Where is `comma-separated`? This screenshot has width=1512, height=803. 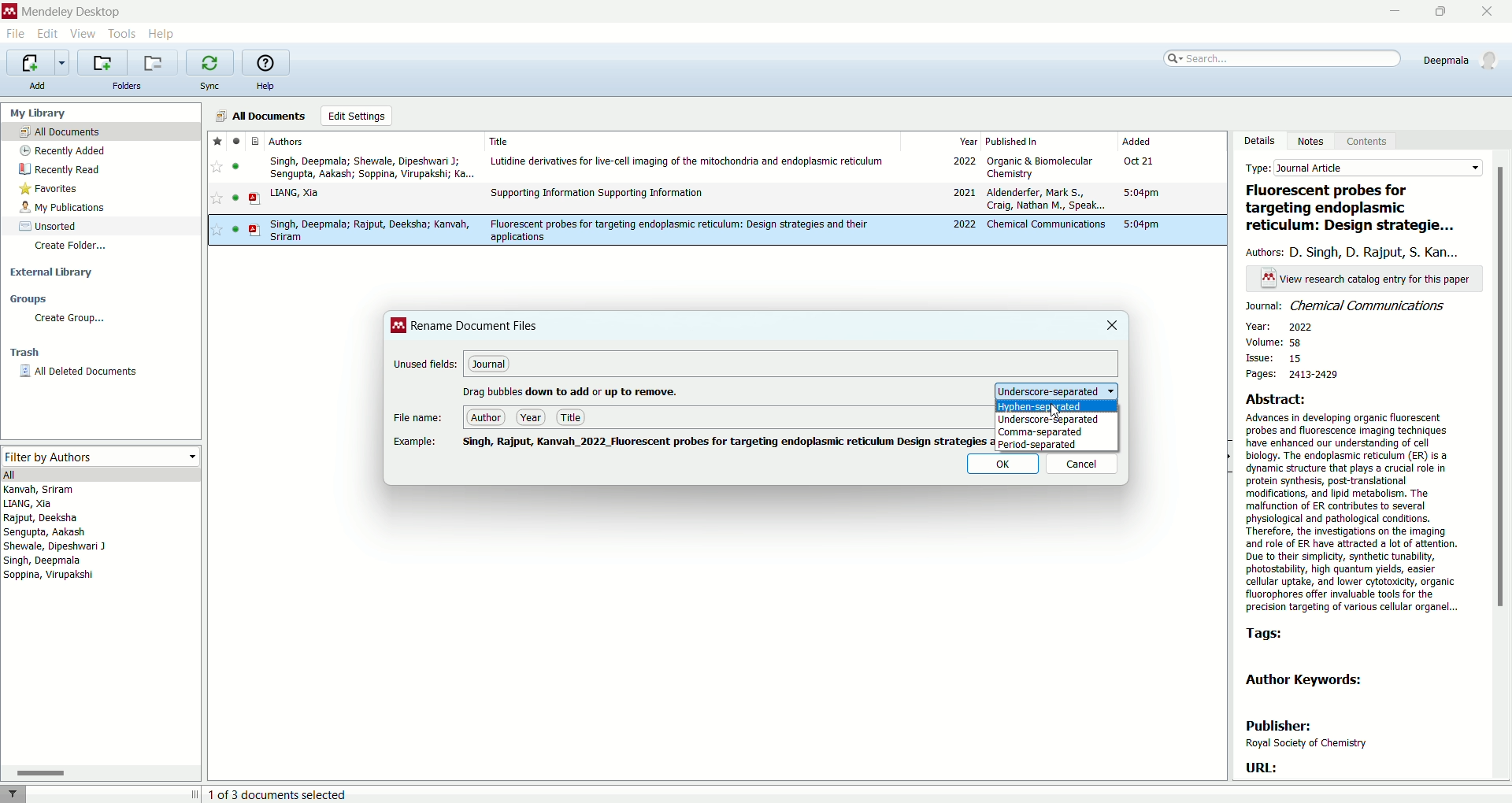
comma-separated is located at coordinates (1040, 431).